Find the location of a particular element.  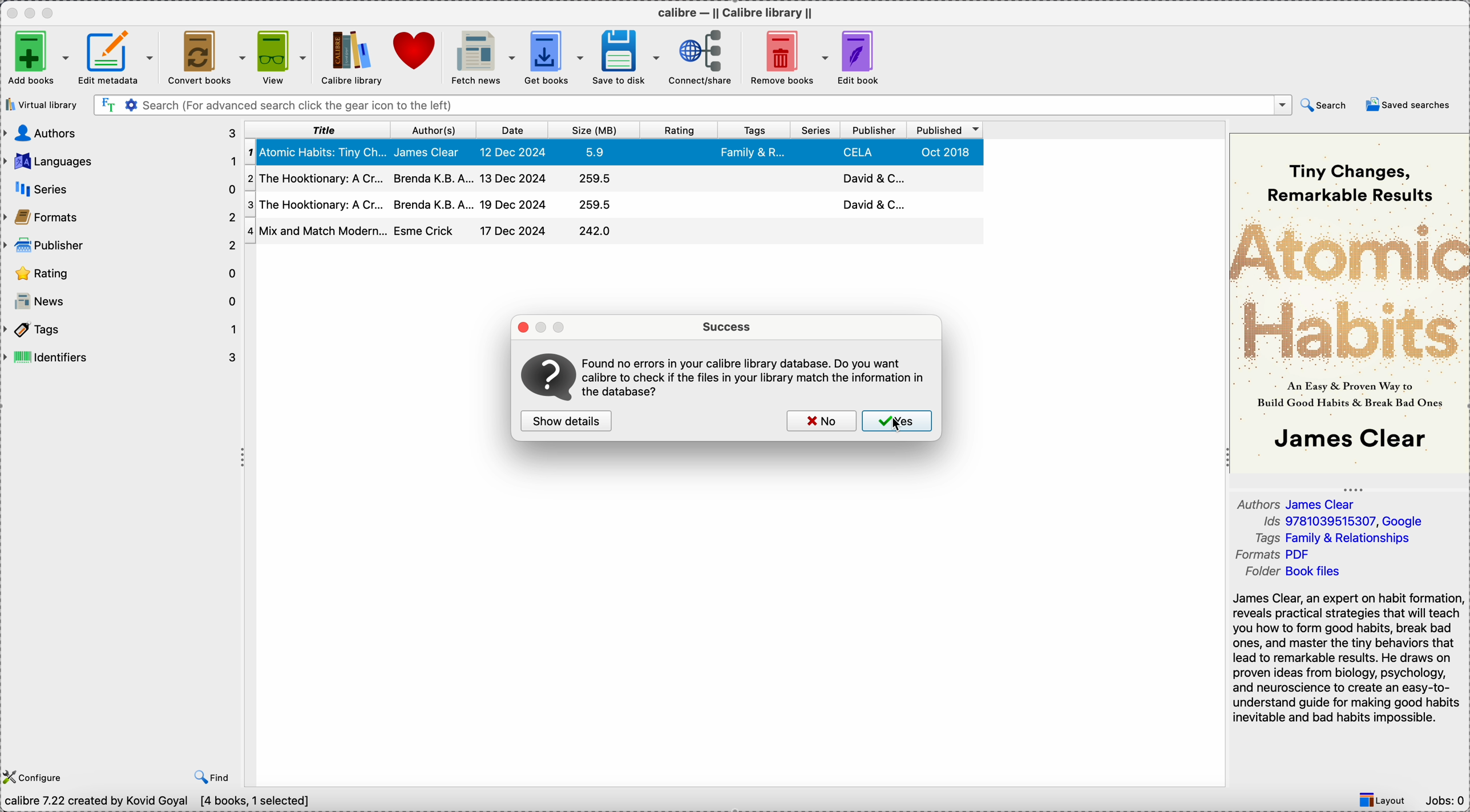

configure is located at coordinates (34, 777).